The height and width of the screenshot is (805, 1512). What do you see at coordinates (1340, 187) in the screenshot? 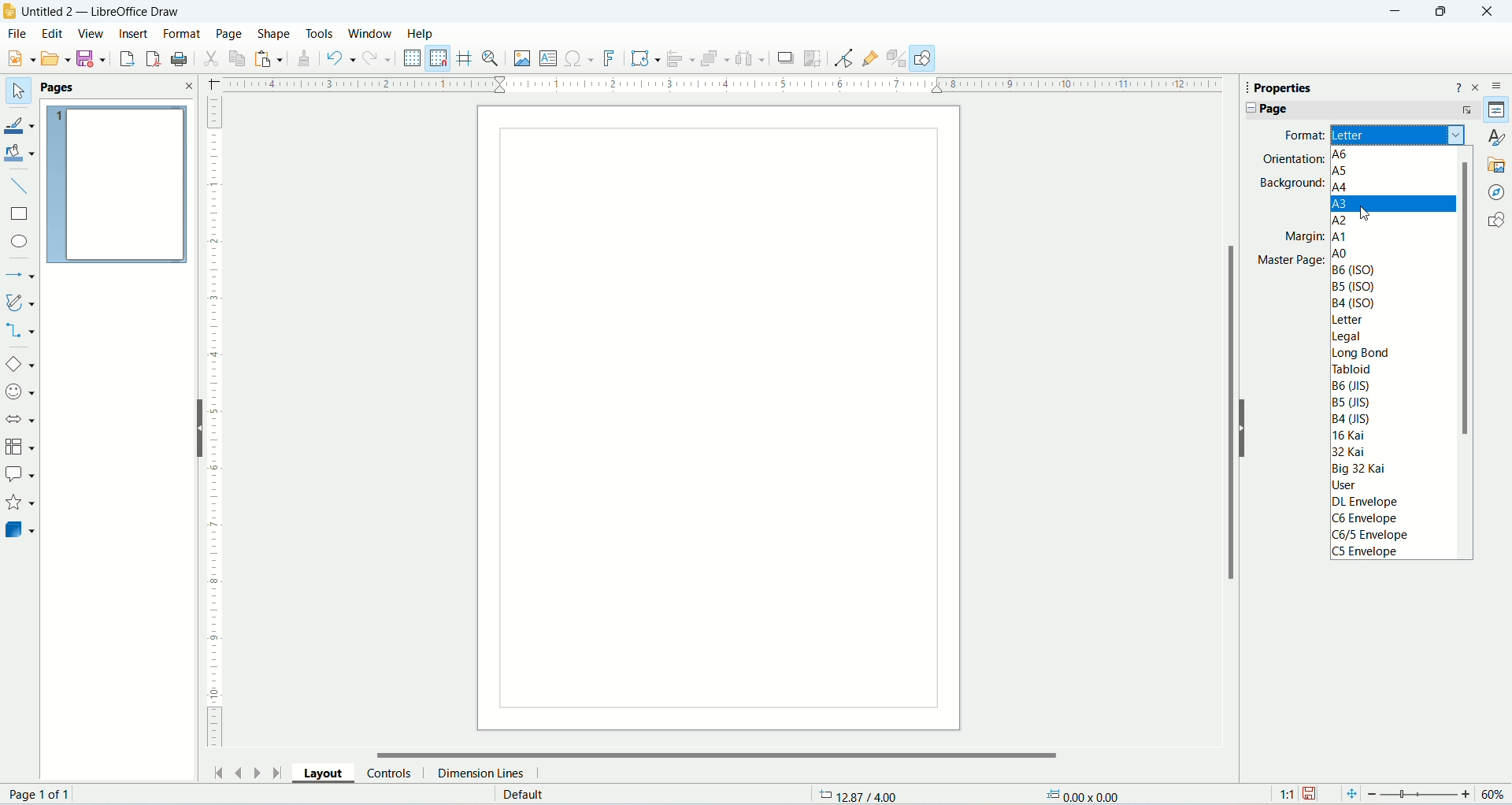
I see `A4` at bounding box center [1340, 187].